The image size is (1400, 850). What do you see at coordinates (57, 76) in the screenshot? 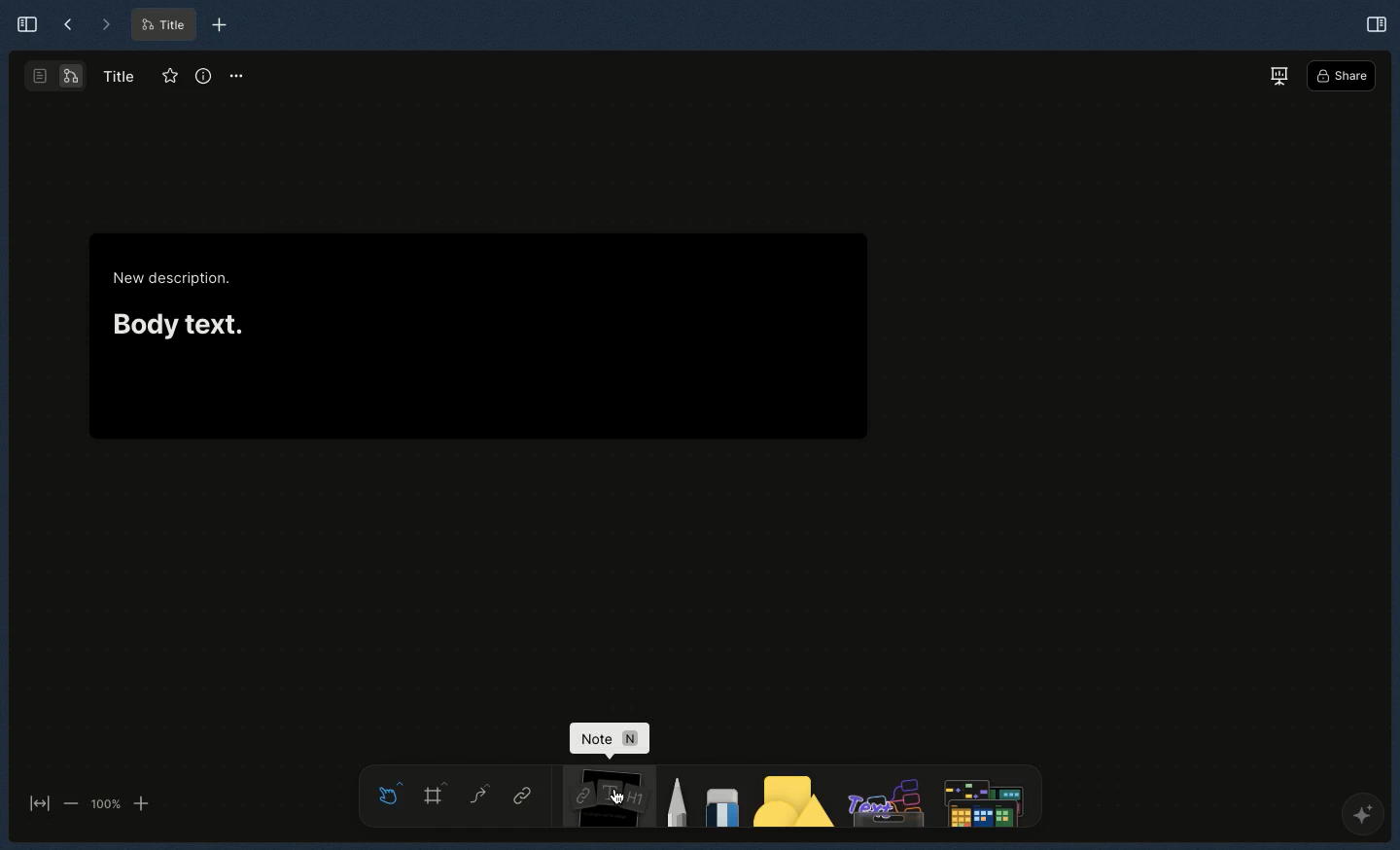
I see `Second layout` at bounding box center [57, 76].